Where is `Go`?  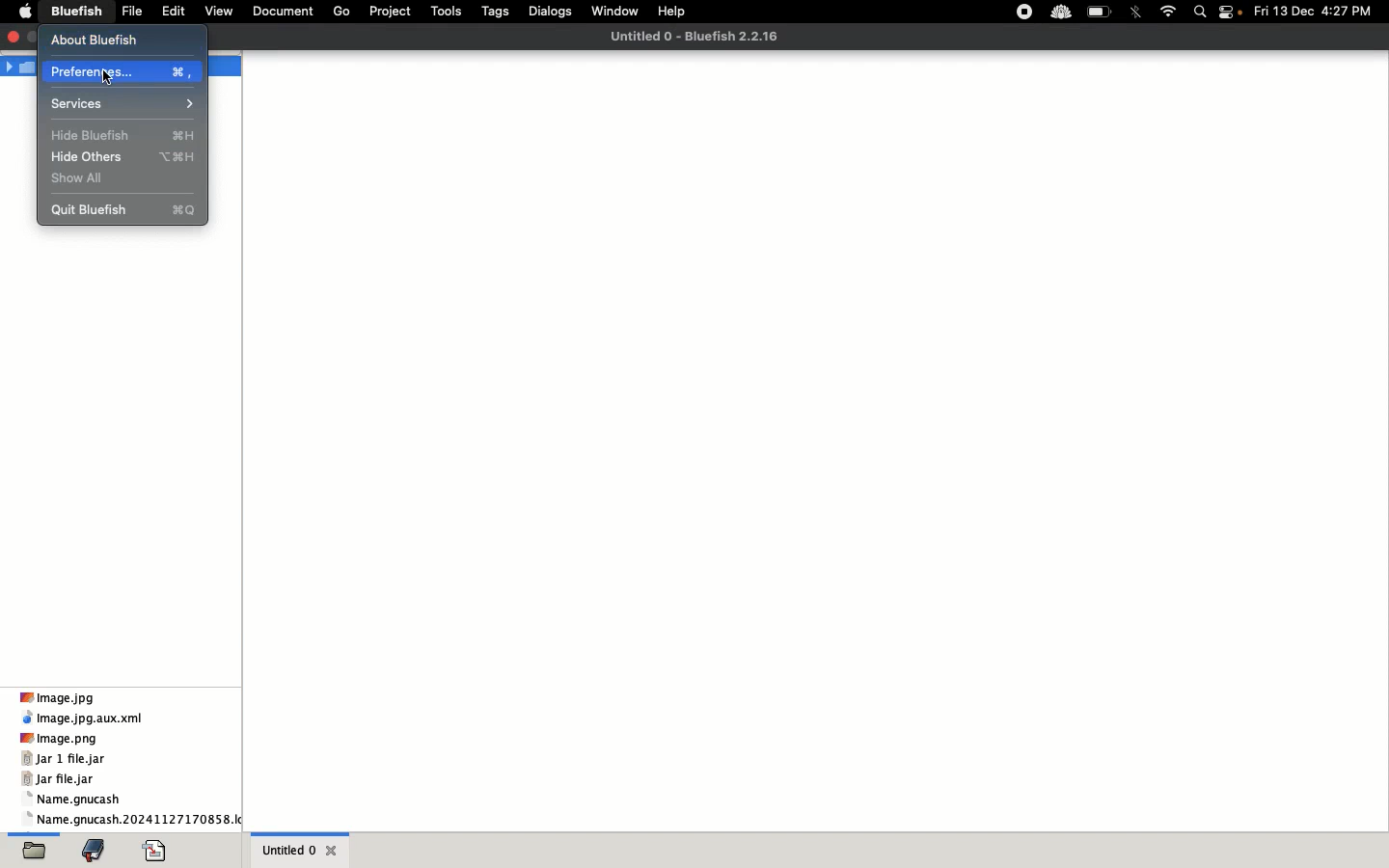
Go is located at coordinates (342, 12).